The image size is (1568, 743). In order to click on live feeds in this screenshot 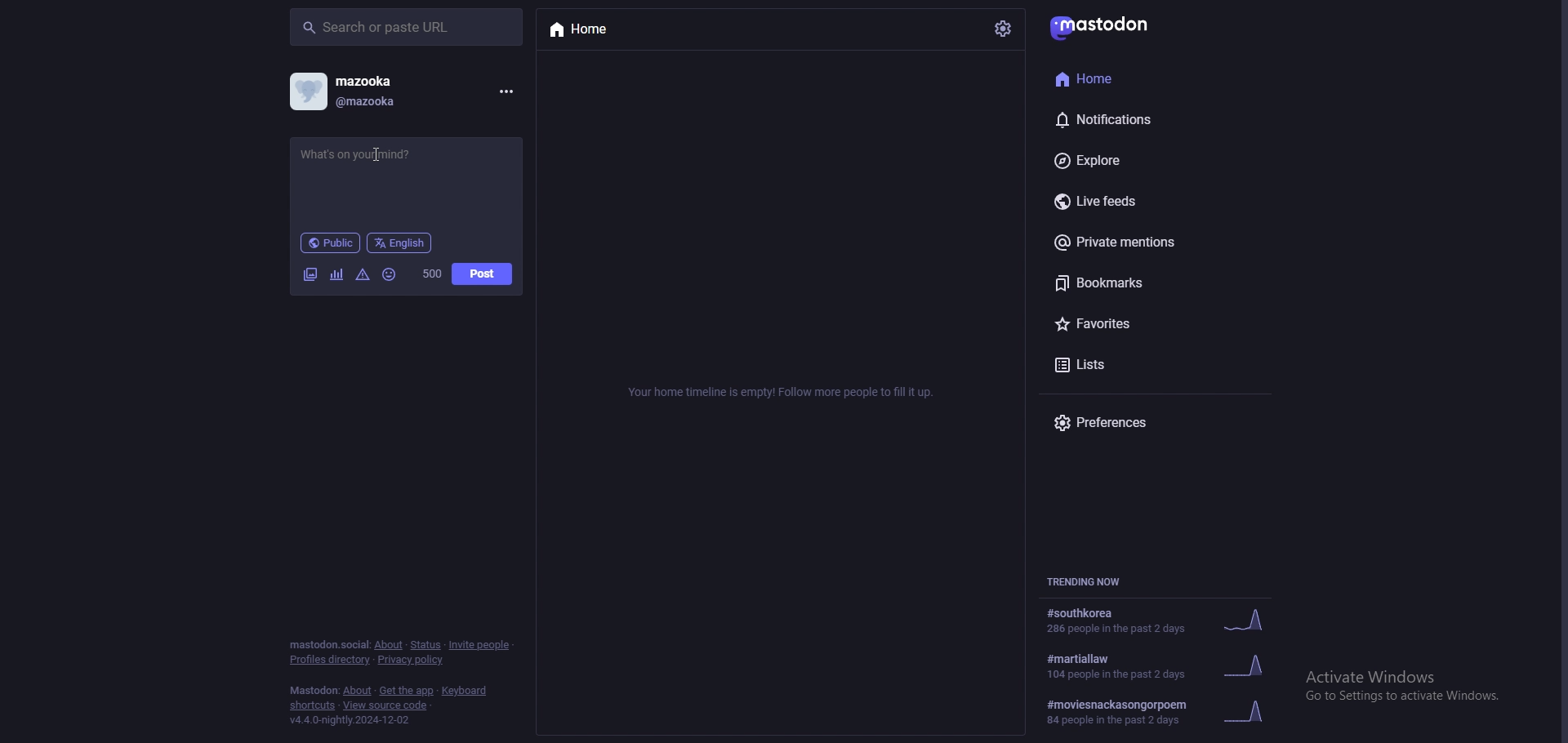, I will do `click(1147, 200)`.